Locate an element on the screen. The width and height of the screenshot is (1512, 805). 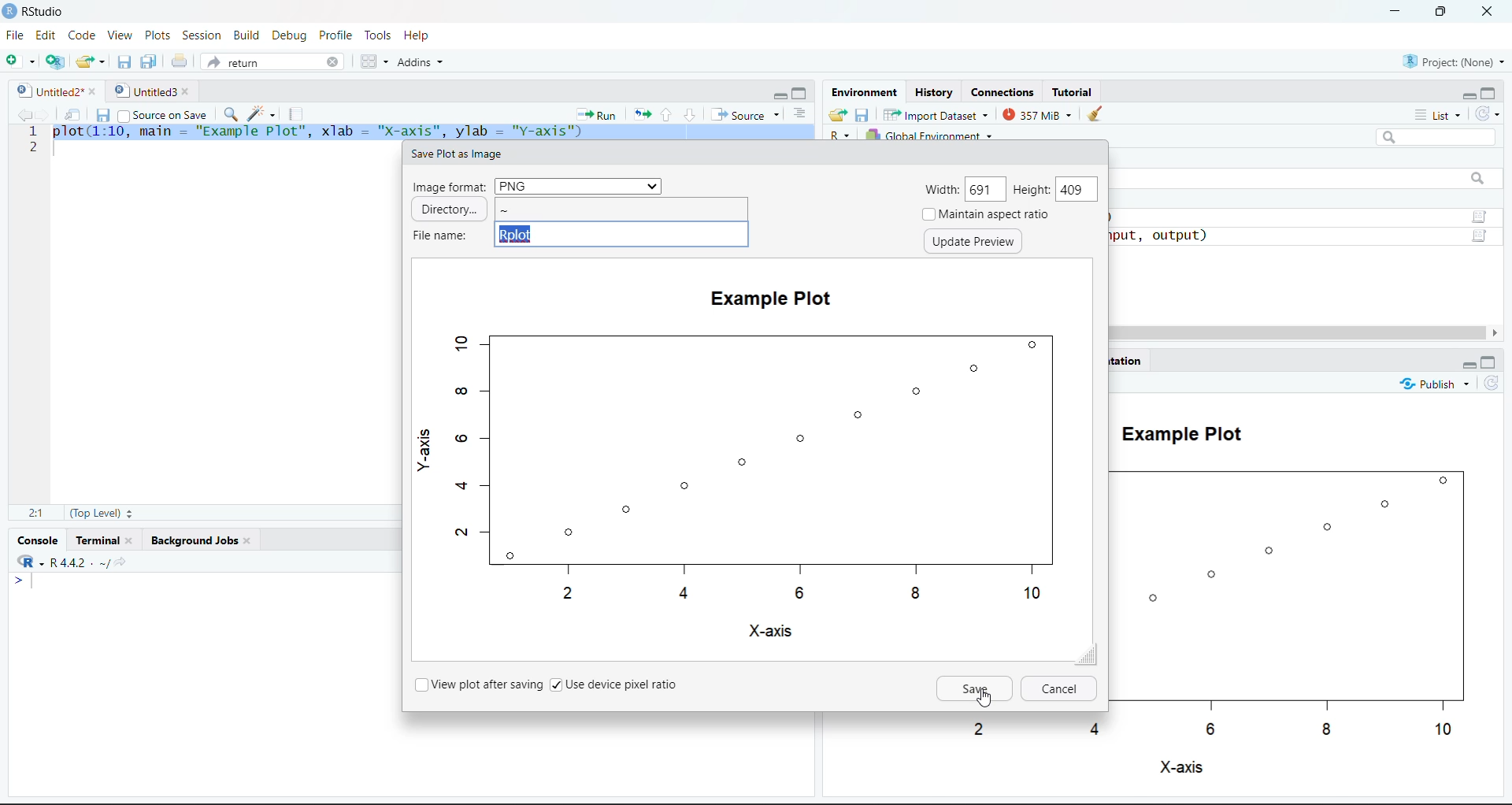
Plot is located at coordinates (754, 466).